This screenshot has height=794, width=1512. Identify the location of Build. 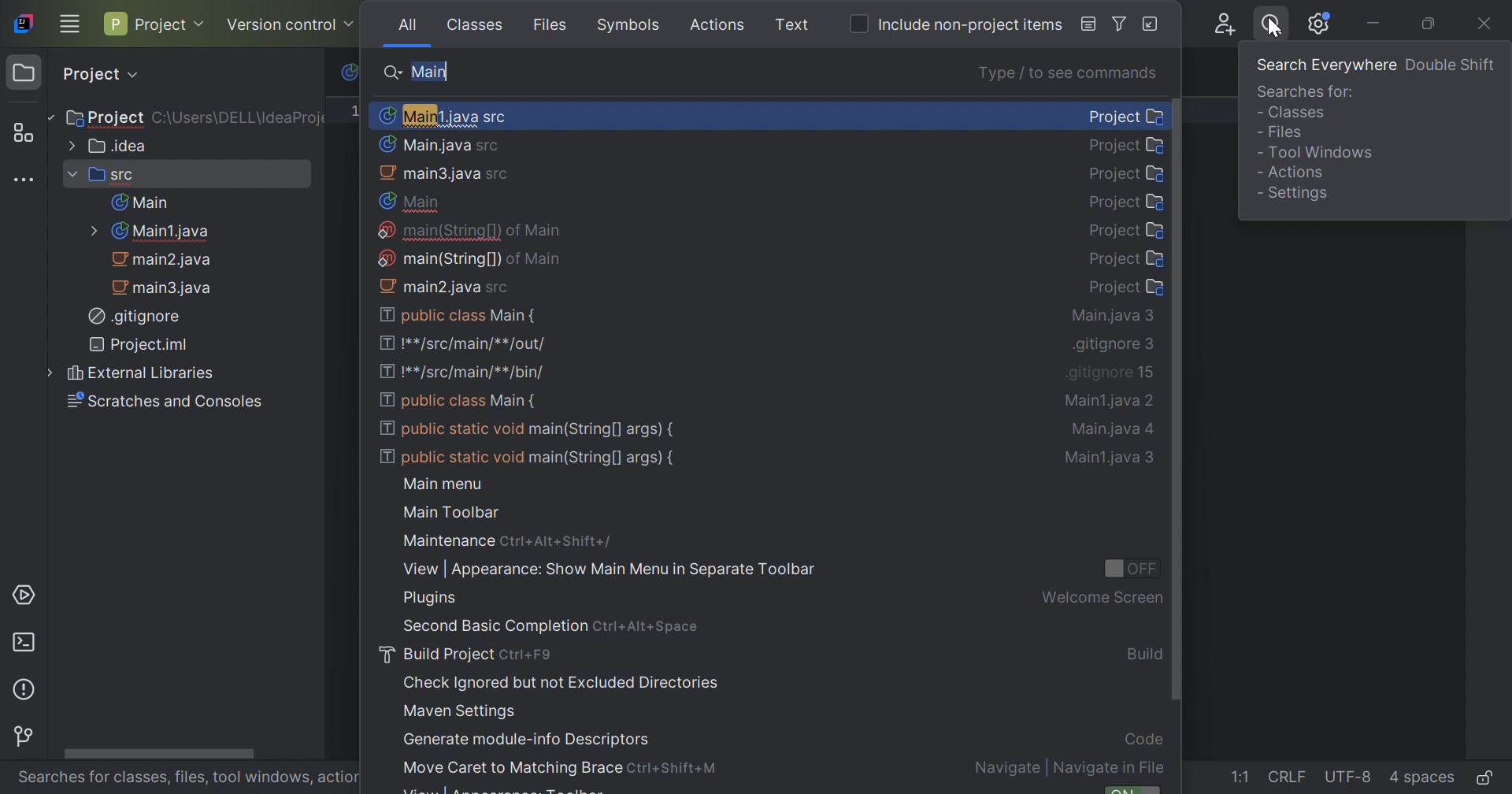
(1144, 654).